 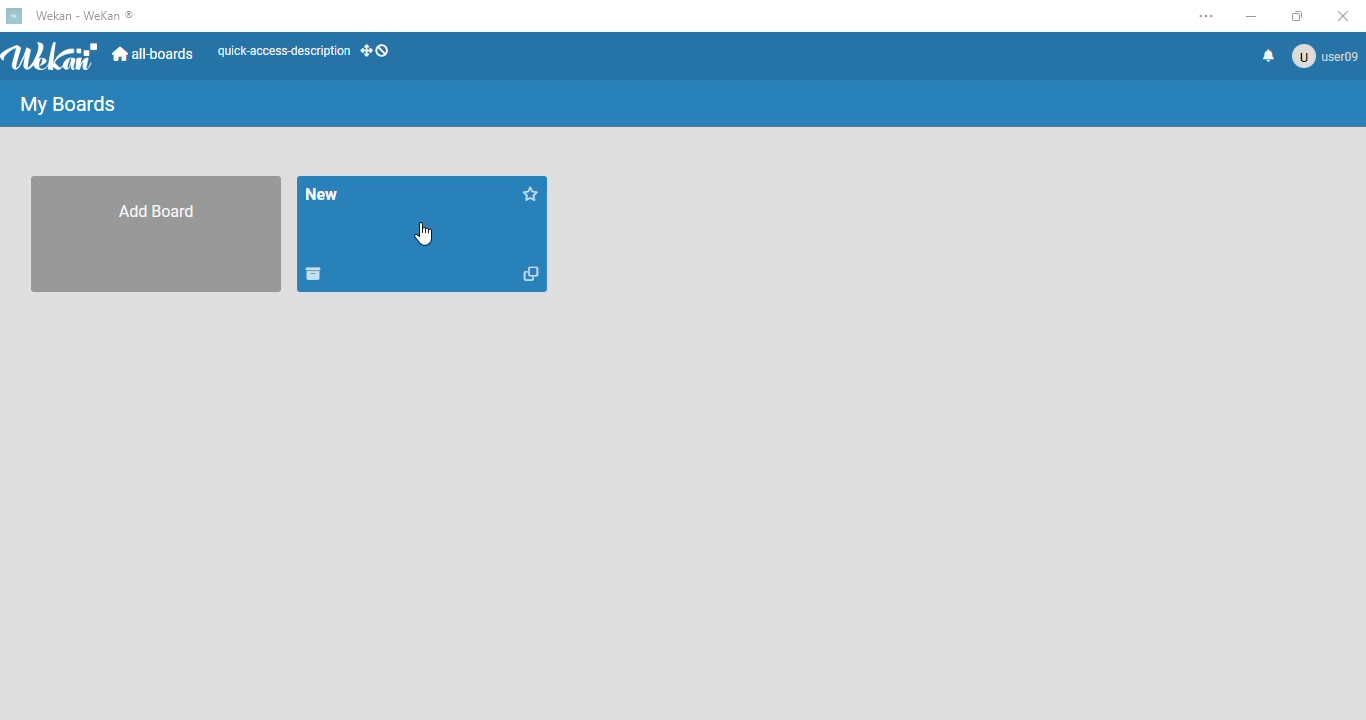 I want to click on duplicate board, so click(x=530, y=273).